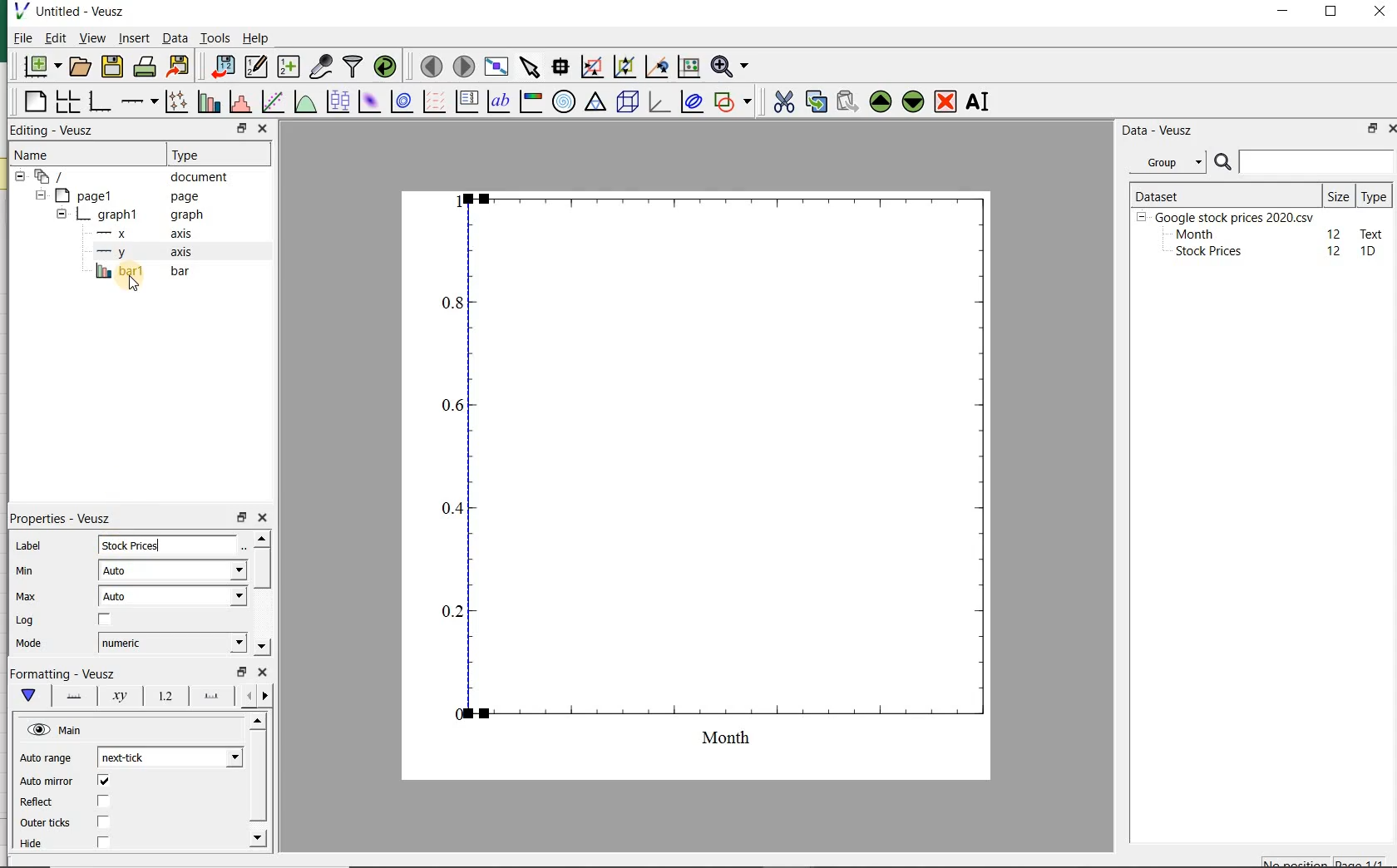 This screenshot has height=868, width=1397. What do you see at coordinates (271, 102) in the screenshot?
I see `fit a function to data` at bounding box center [271, 102].